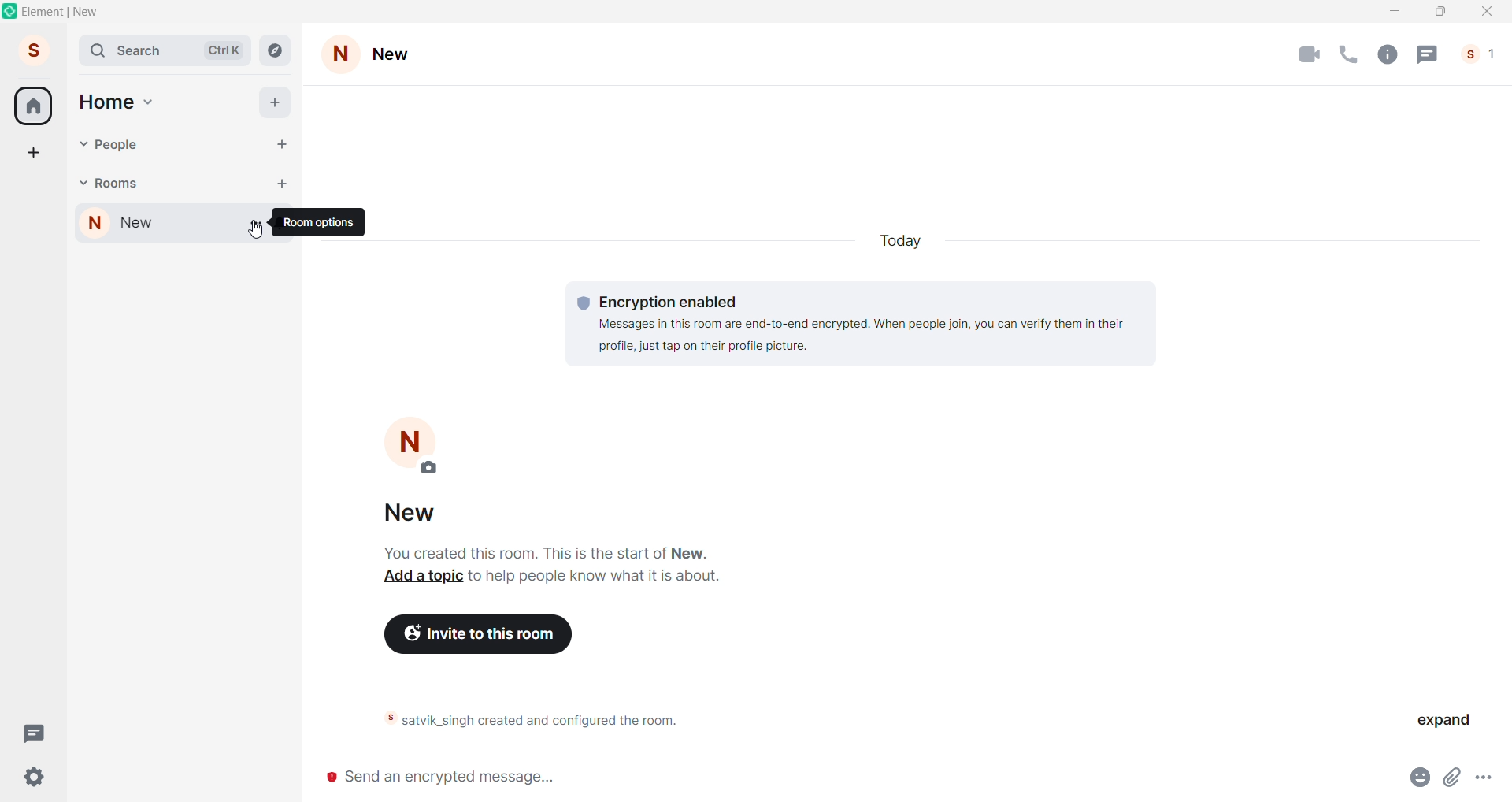 This screenshot has width=1512, height=802. I want to click on New You created this room. This is the start of New., so click(545, 531).